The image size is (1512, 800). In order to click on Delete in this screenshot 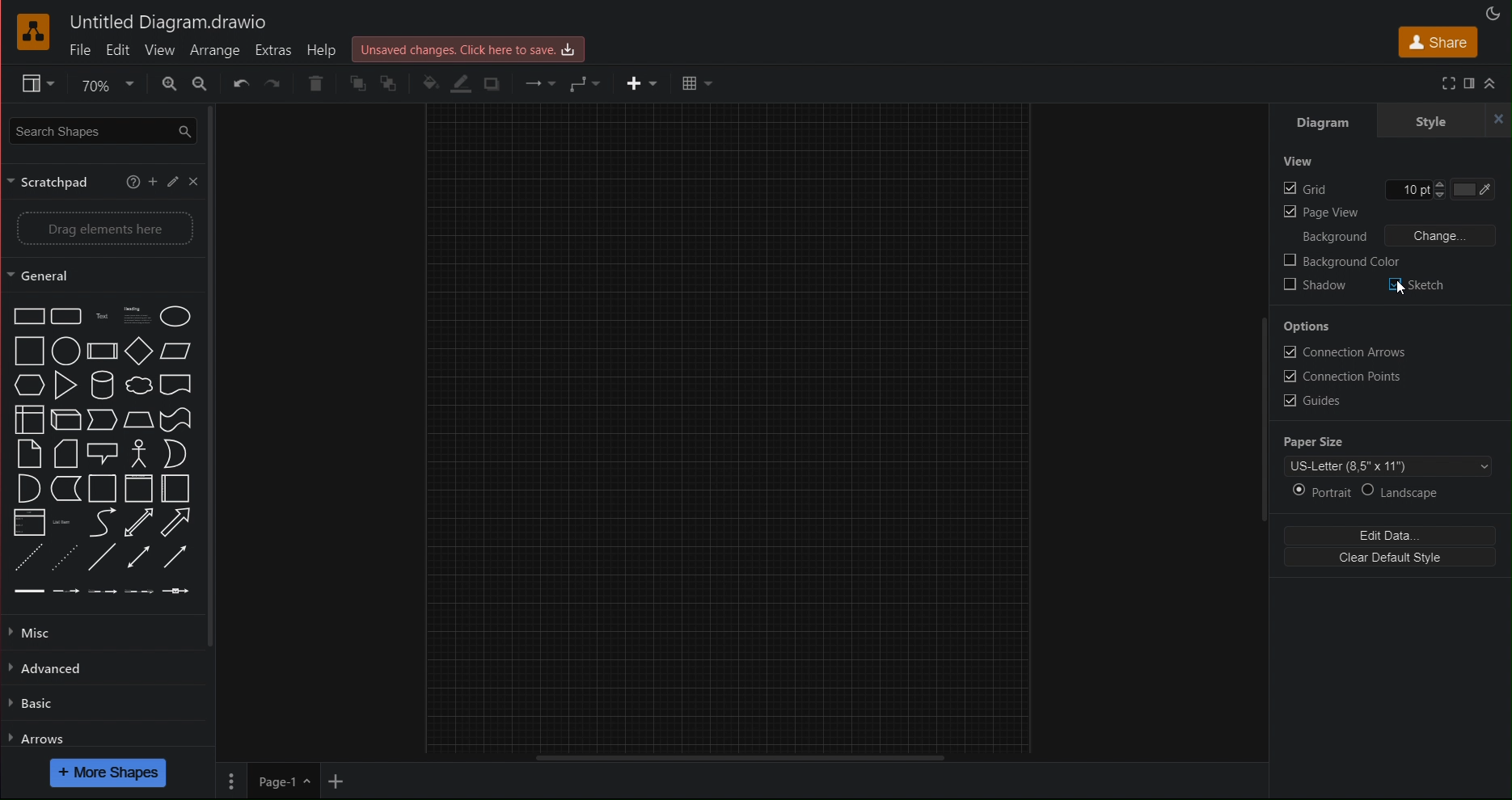, I will do `click(315, 83)`.